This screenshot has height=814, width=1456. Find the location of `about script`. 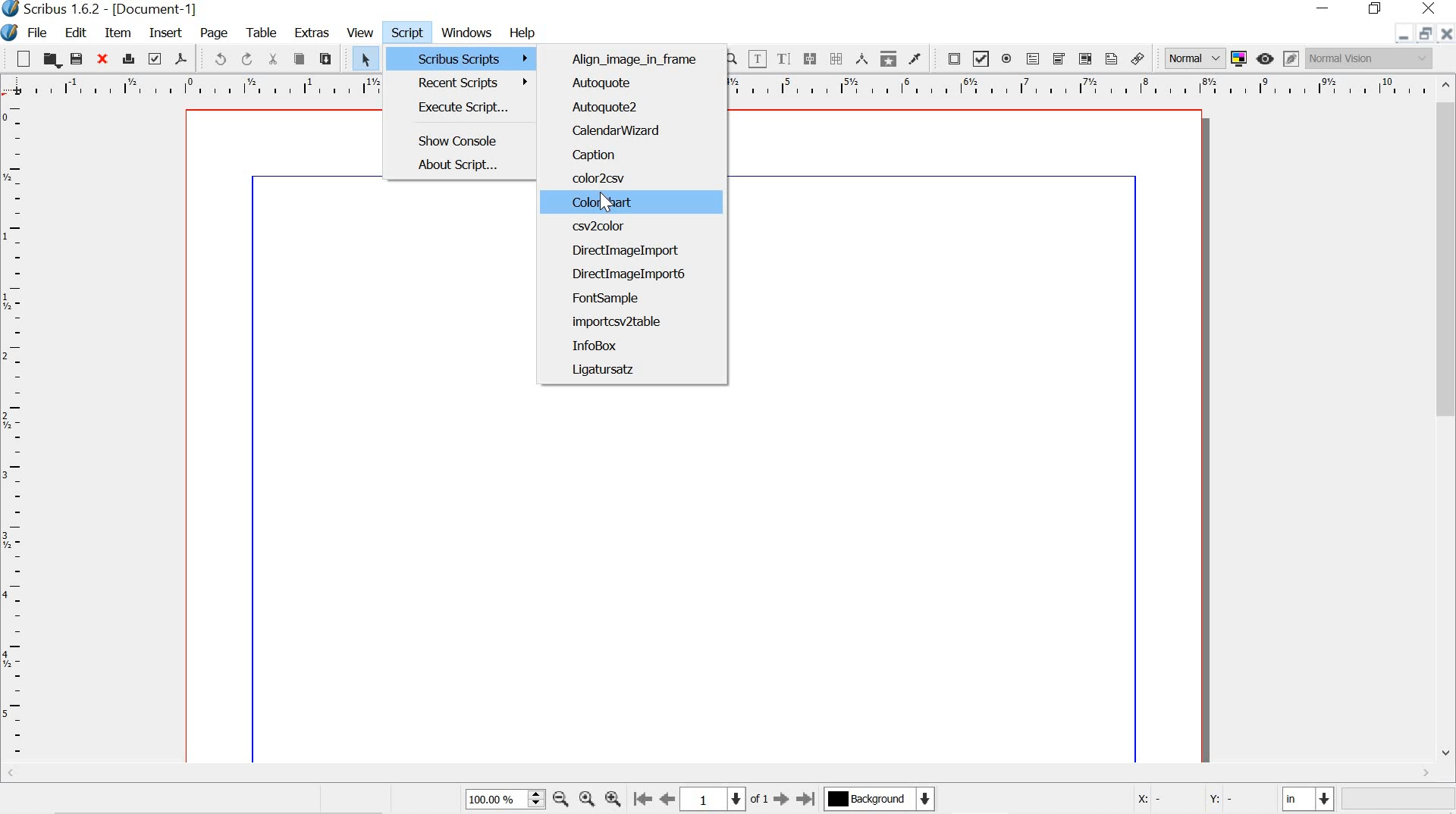

about script is located at coordinates (458, 165).